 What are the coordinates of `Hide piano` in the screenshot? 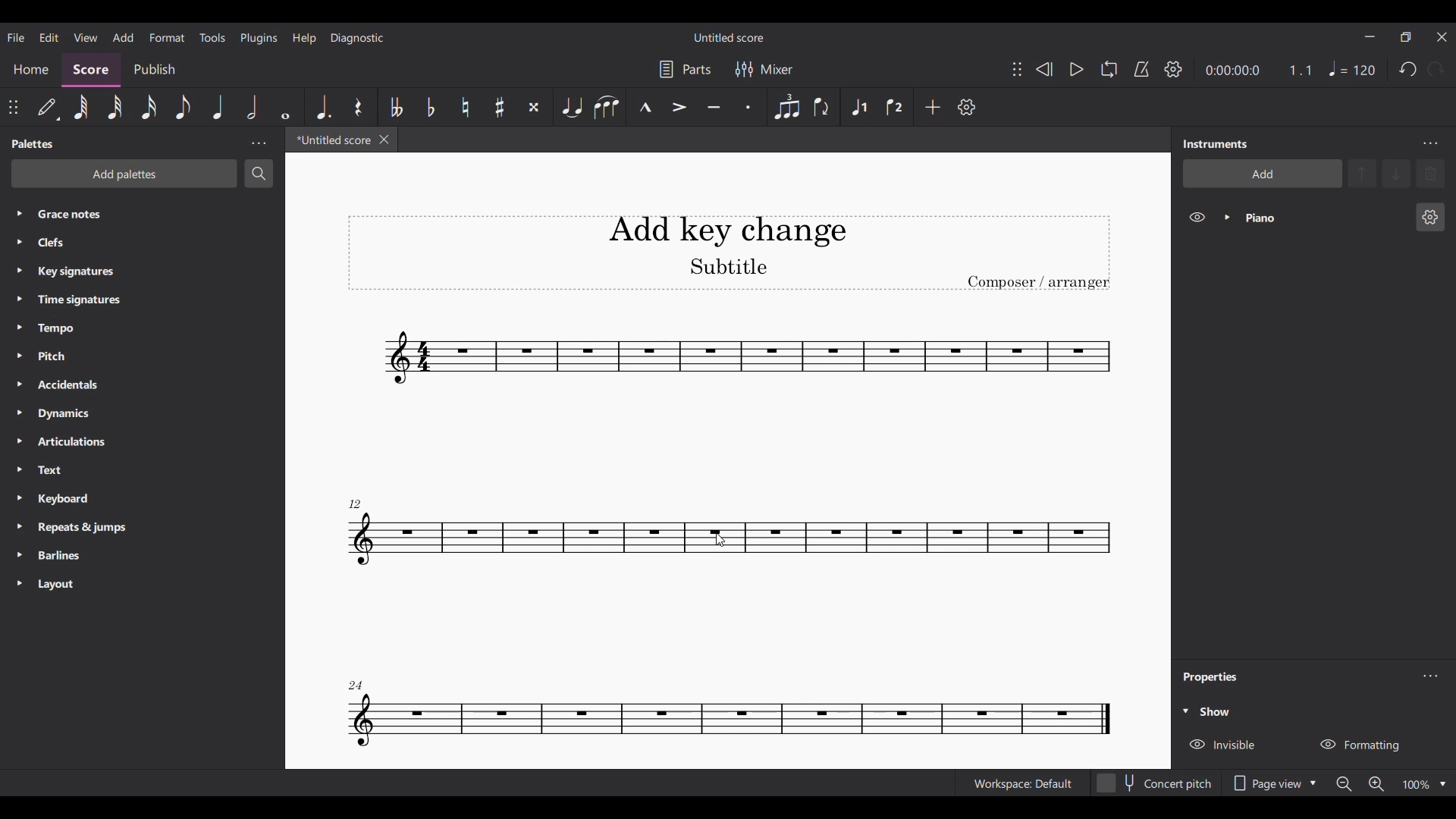 It's located at (1197, 217).